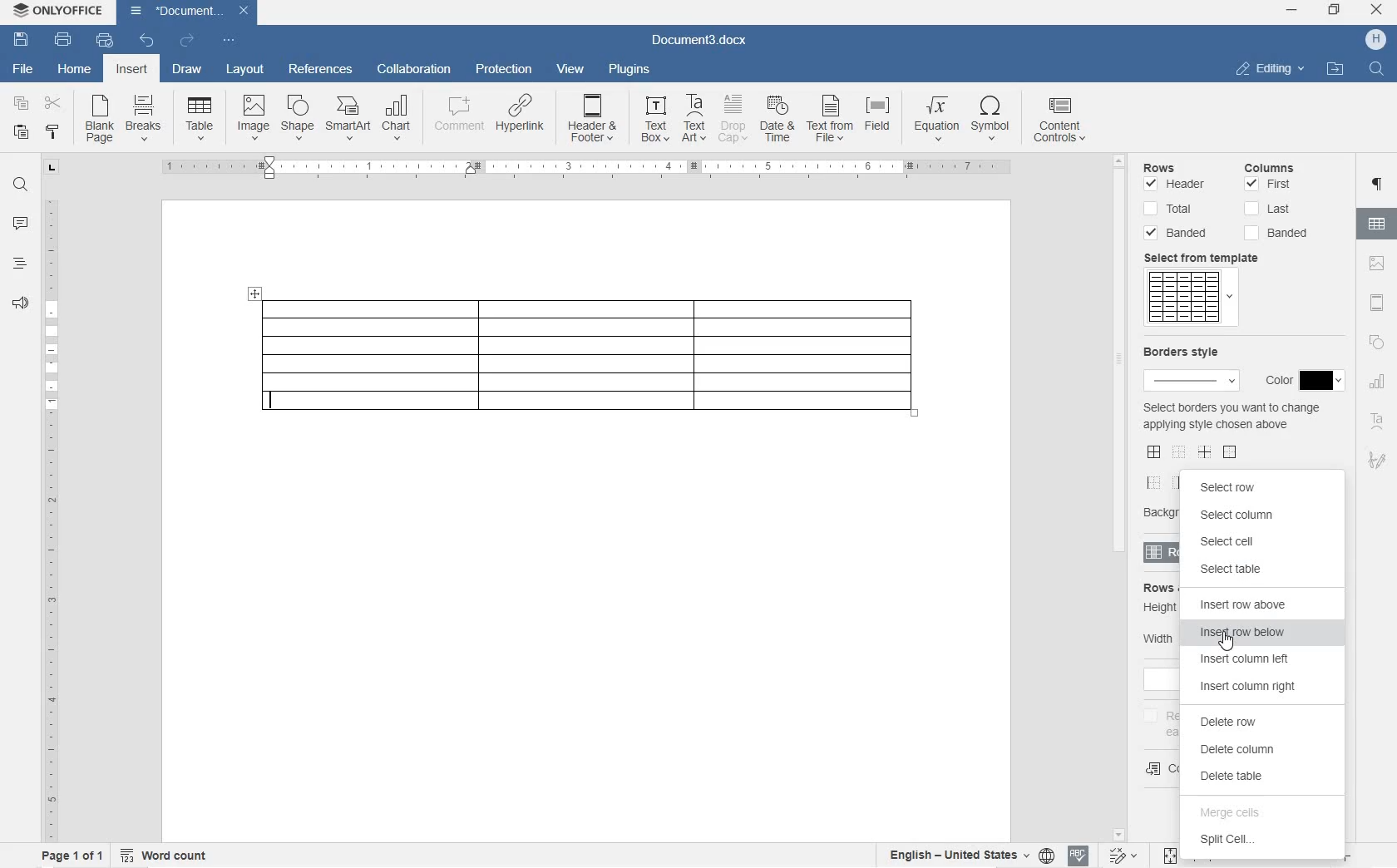 The height and width of the screenshot is (868, 1397). Describe the element at coordinates (506, 70) in the screenshot. I see `PROTECTION` at that location.